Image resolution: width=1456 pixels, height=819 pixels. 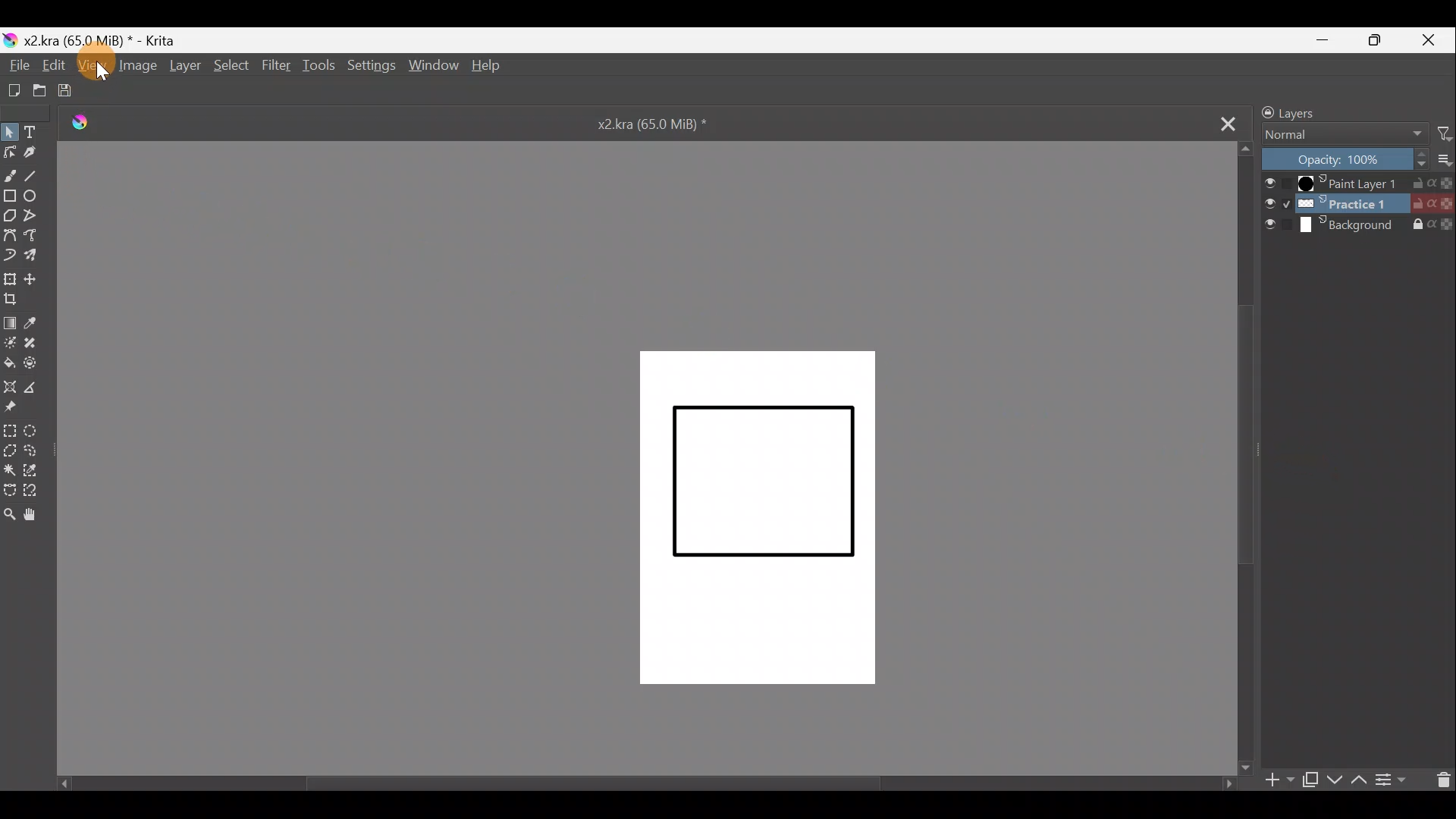 I want to click on Layer 1, so click(x=1358, y=184).